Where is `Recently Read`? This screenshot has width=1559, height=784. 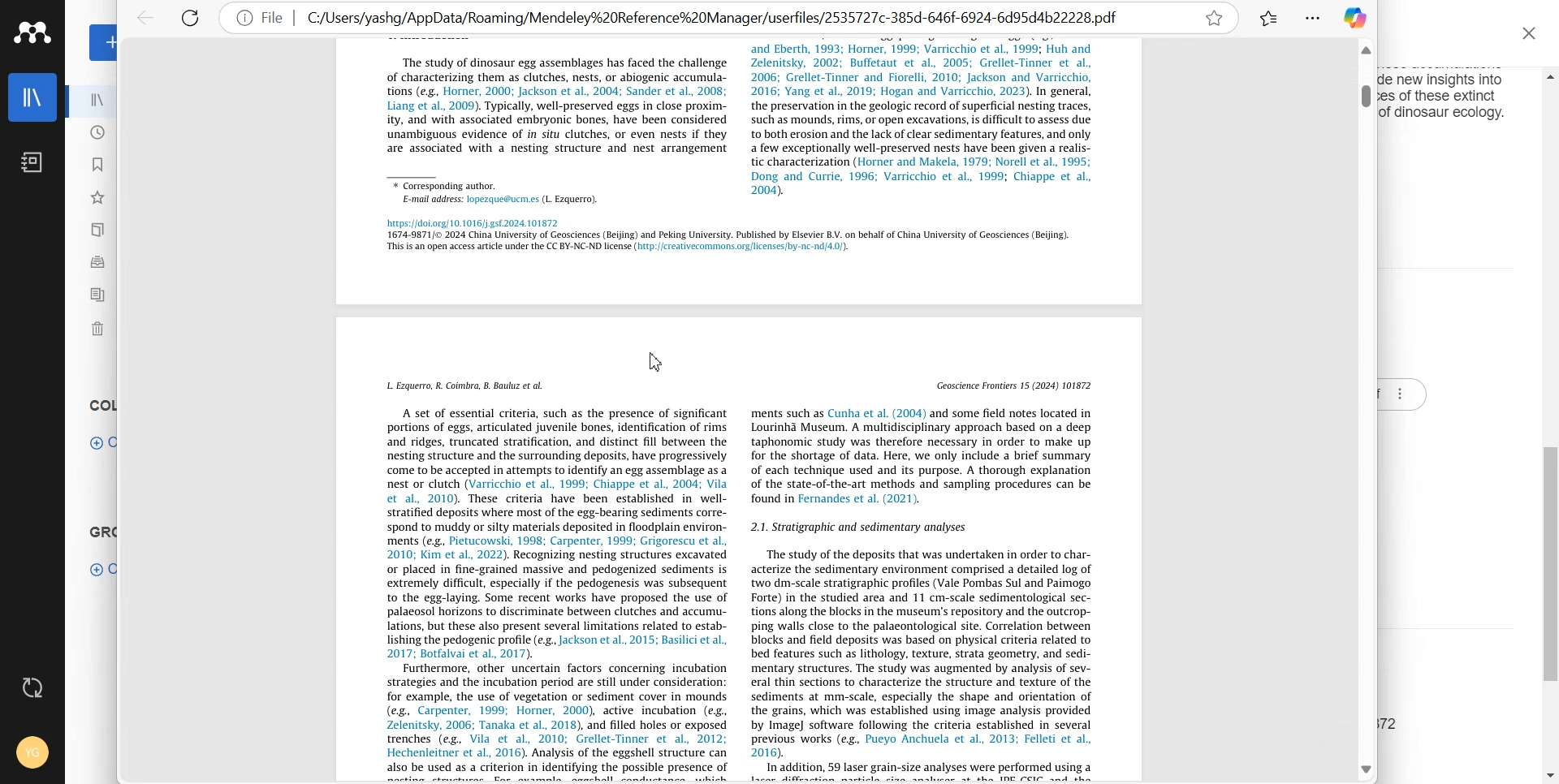 Recently Read is located at coordinates (97, 165).